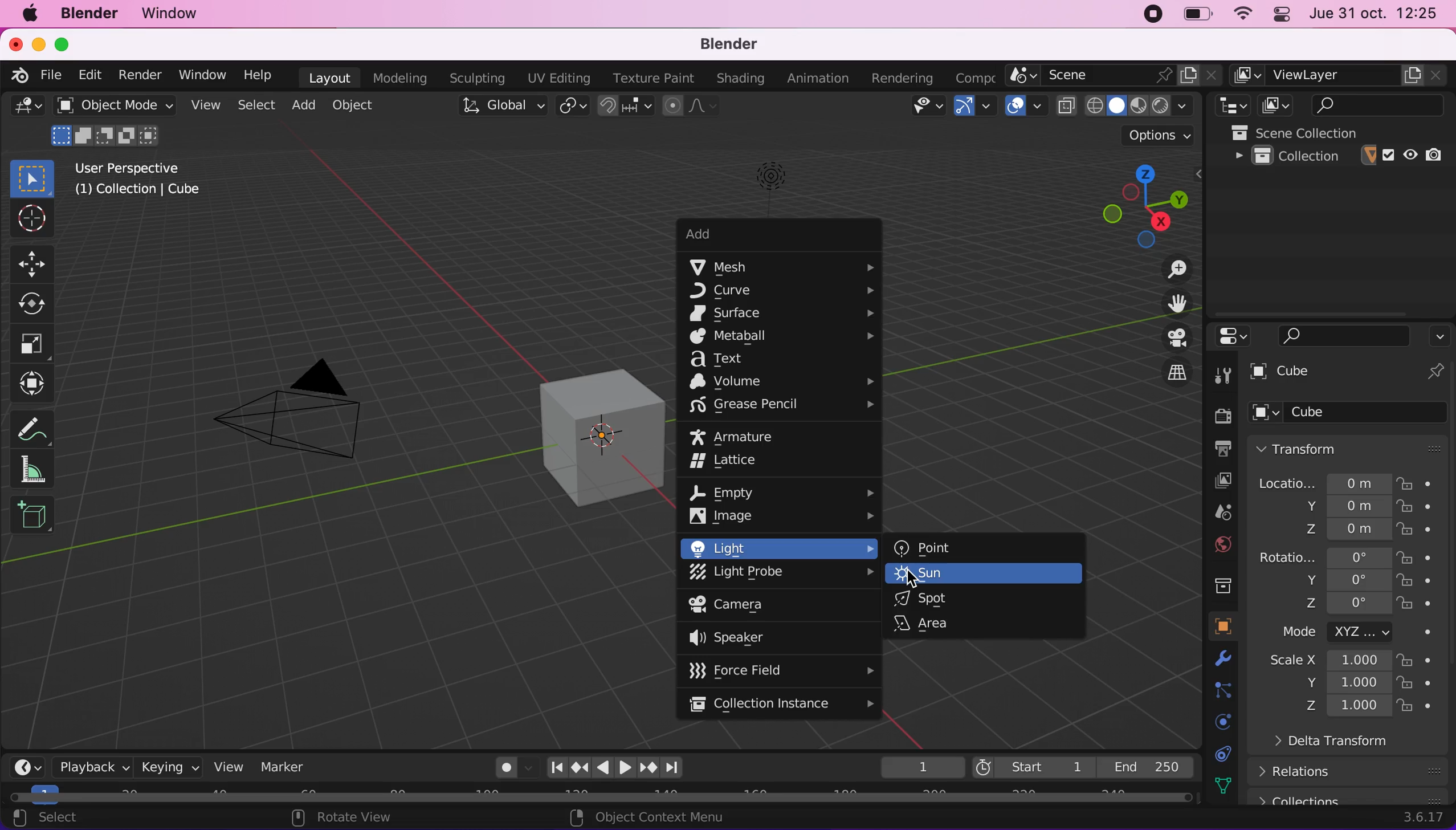 Image resolution: width=1456 pixels, height=830 pixels. What do you see at coordinates (1344, 335) in the screenshot?
I see `seearch` at bounding box center [1344, 335].